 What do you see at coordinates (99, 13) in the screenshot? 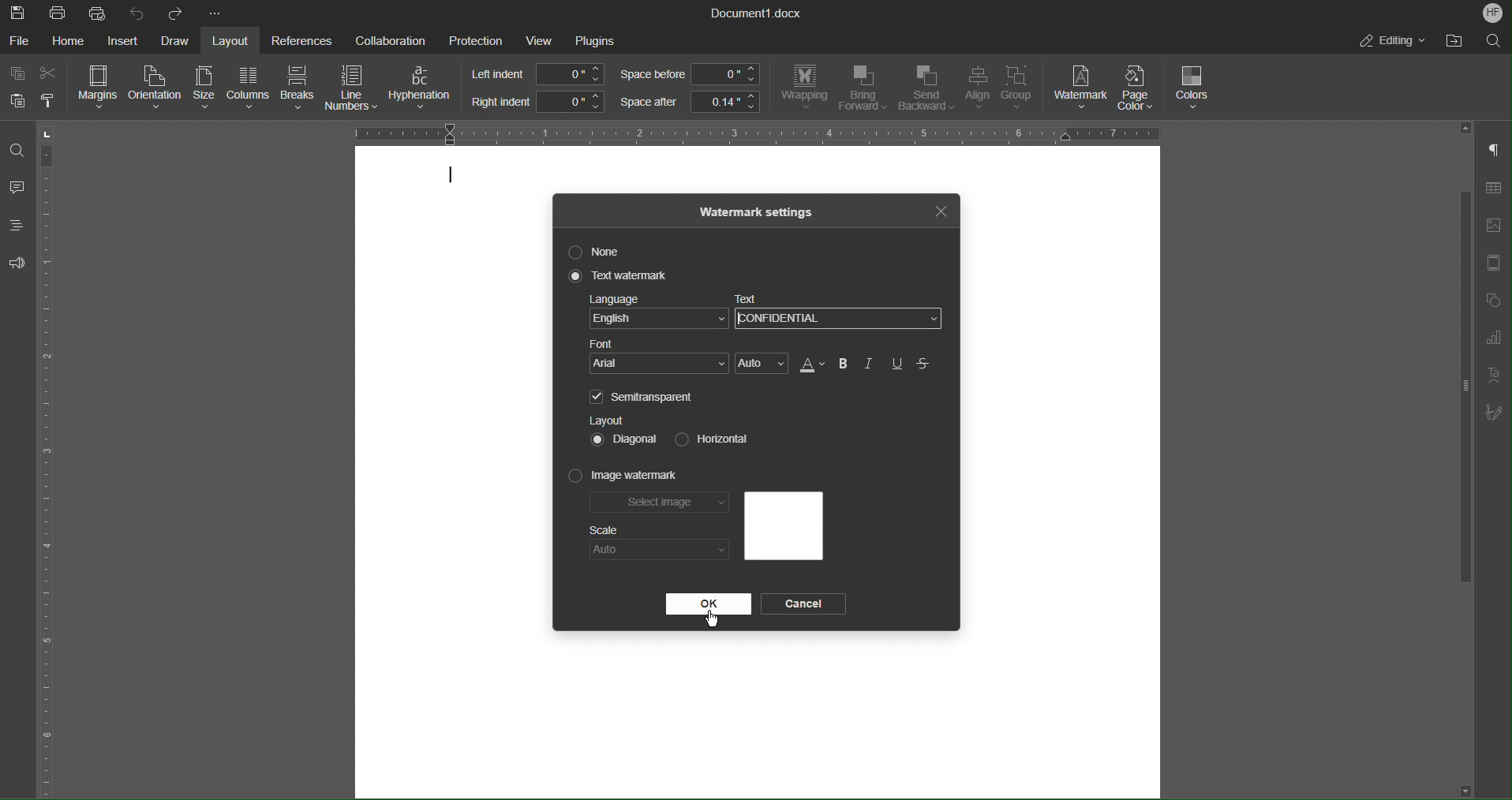
I see `Quick Print` at bounding box center [99, 13].